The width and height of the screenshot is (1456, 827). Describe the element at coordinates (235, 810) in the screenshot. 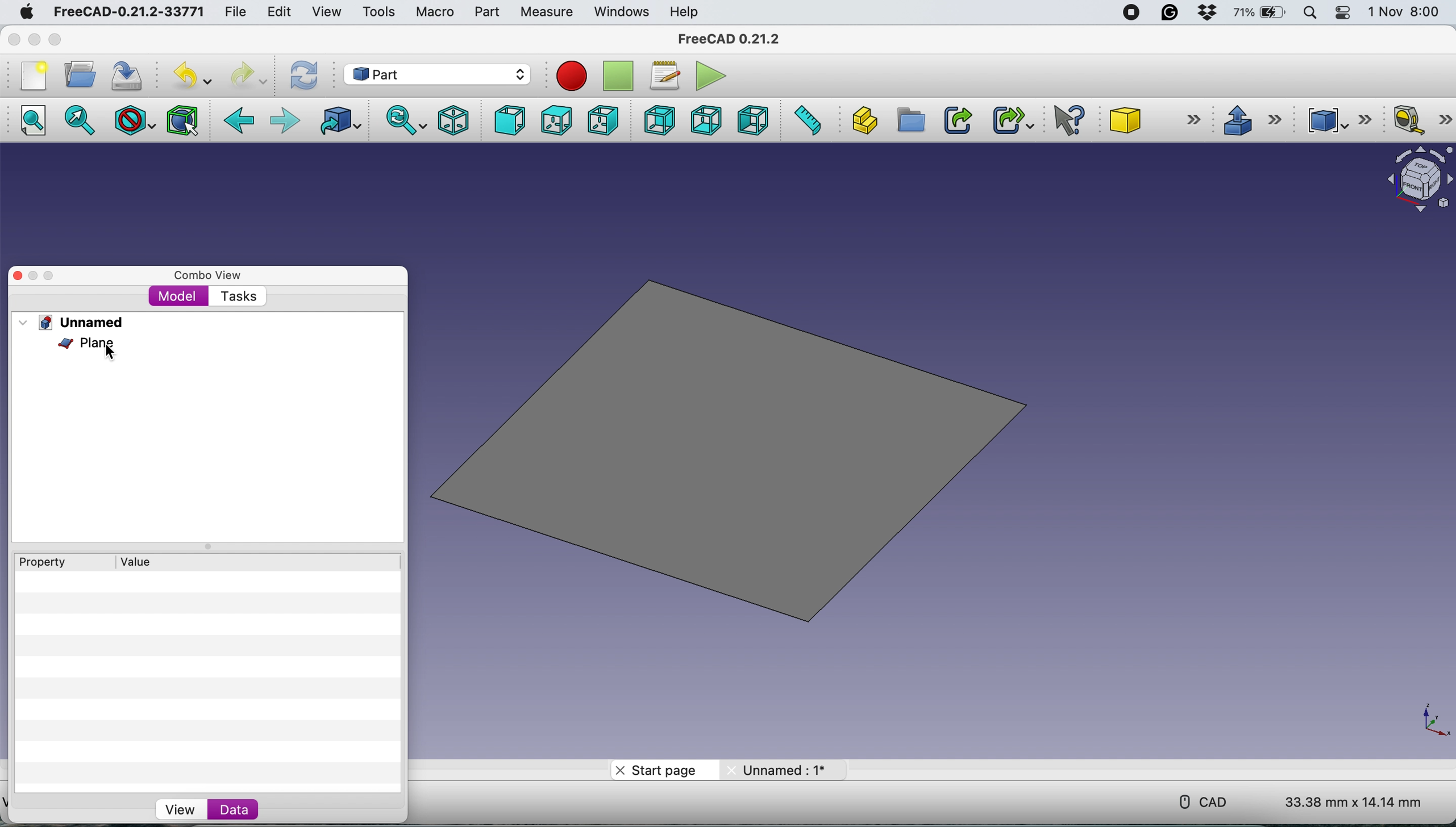

I see `data` at that location.